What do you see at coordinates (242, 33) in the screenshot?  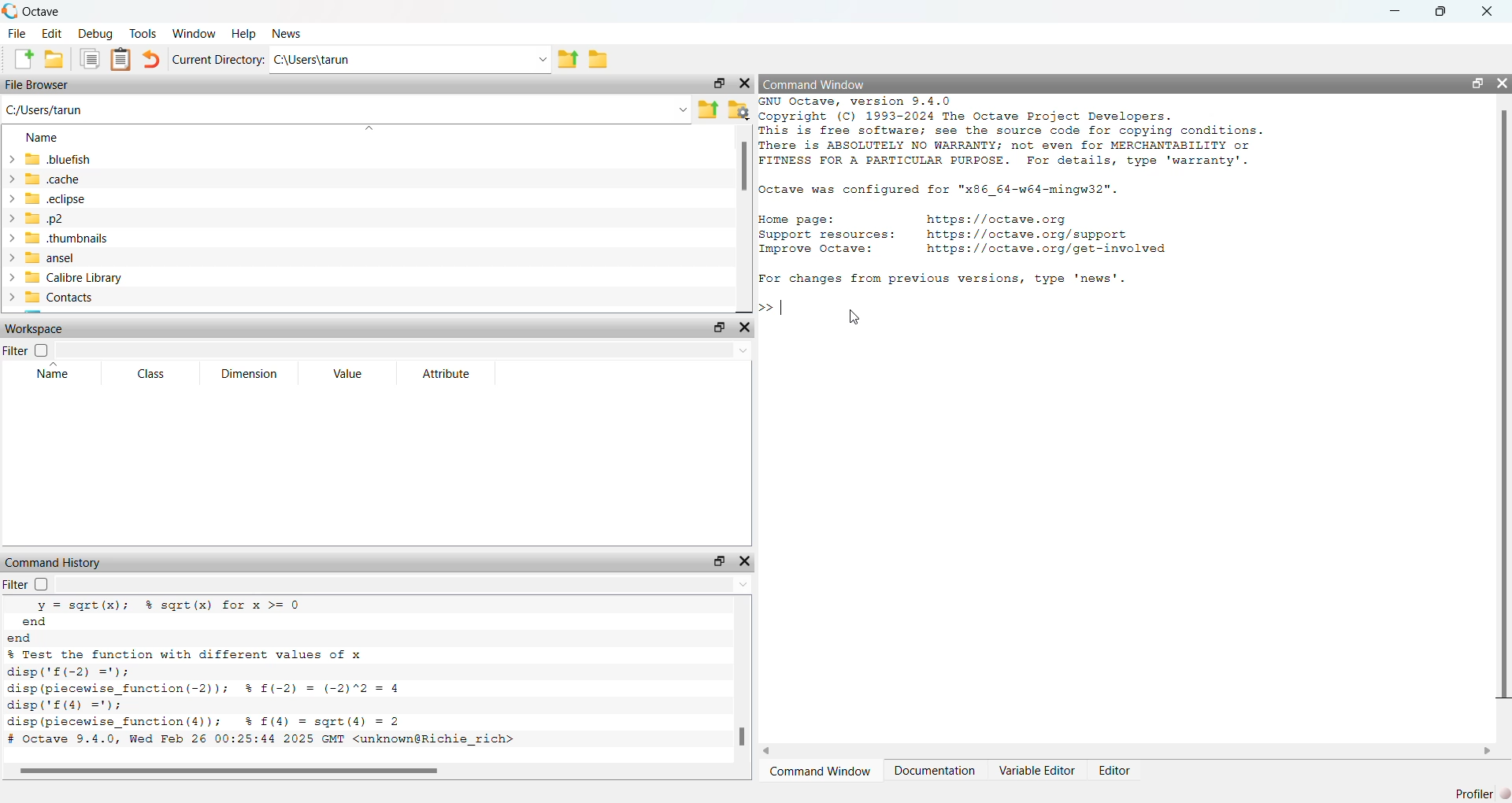 I see `Help` at bounding box center [242, 33].